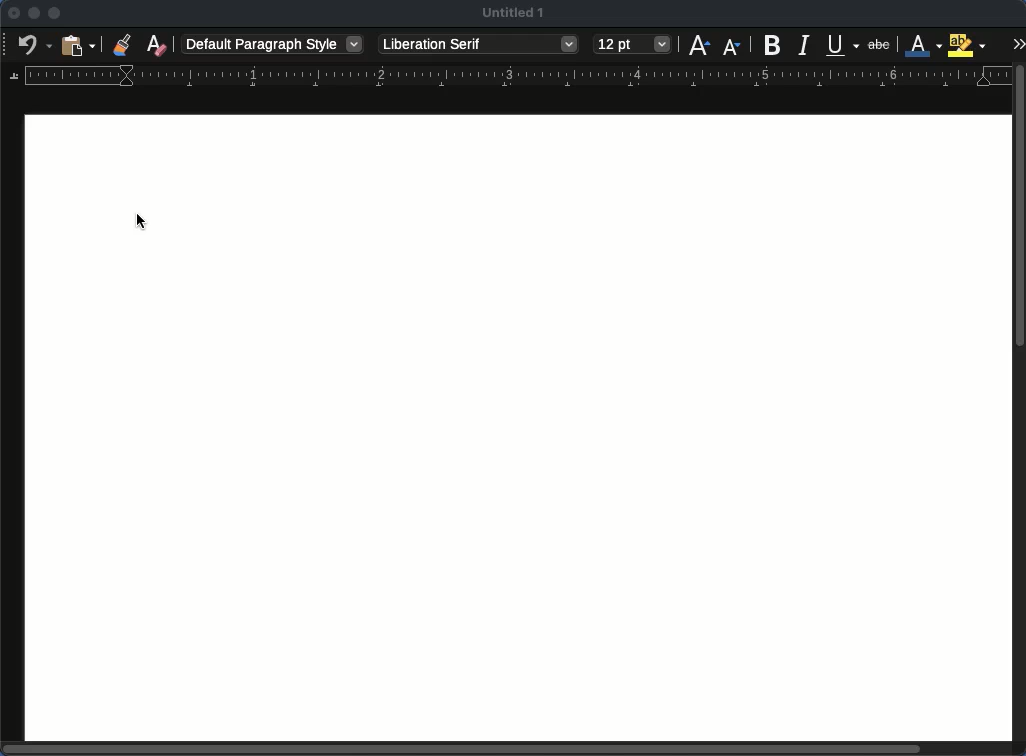 This screenshot has height=756, width=1026. What do you see at coordinates (1021, 410) in the screenshot?
I see `scroll` at bounding box center [1021, 410].